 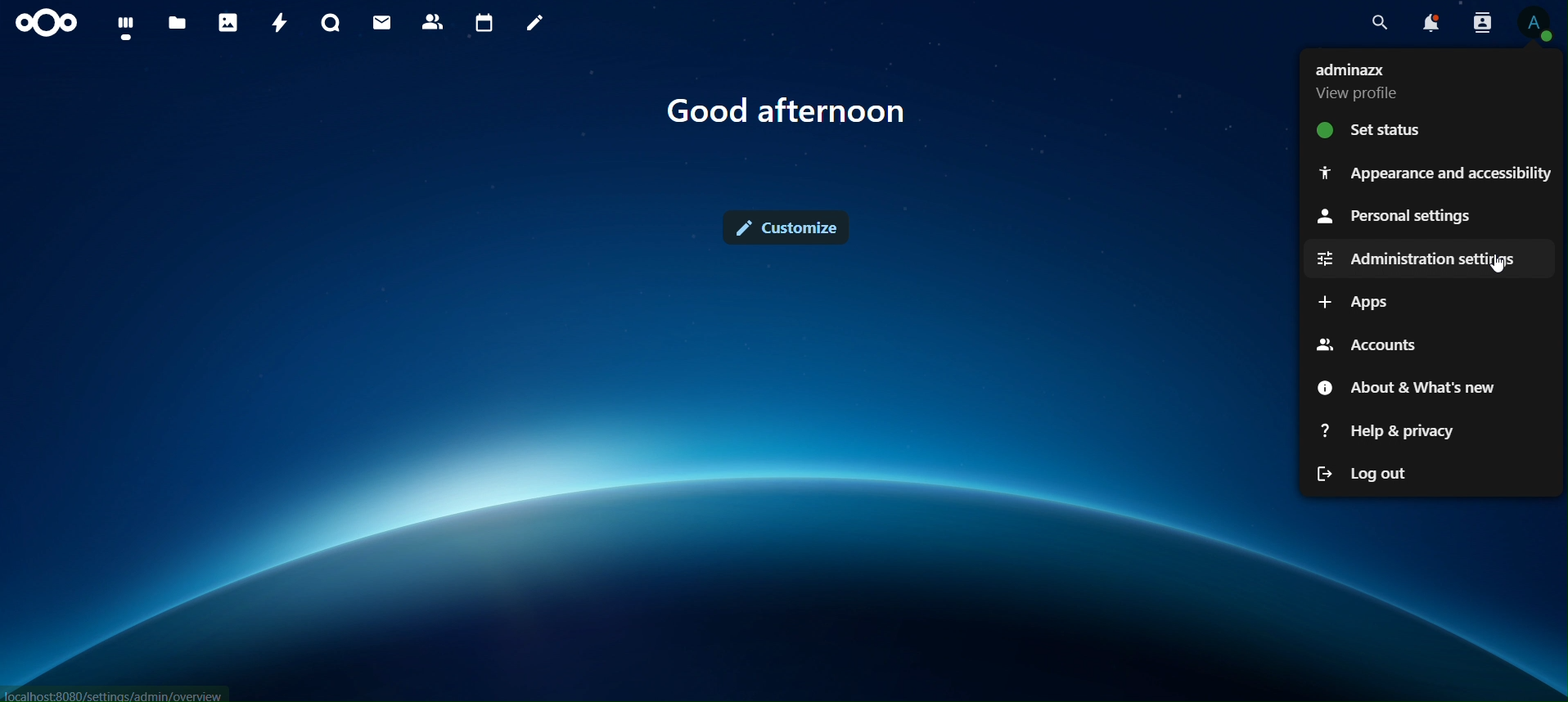 What do you see at coordinates (1367, 80) in the screenshot?
I see `adminazx View profile` at bounding box center [1367, 80].